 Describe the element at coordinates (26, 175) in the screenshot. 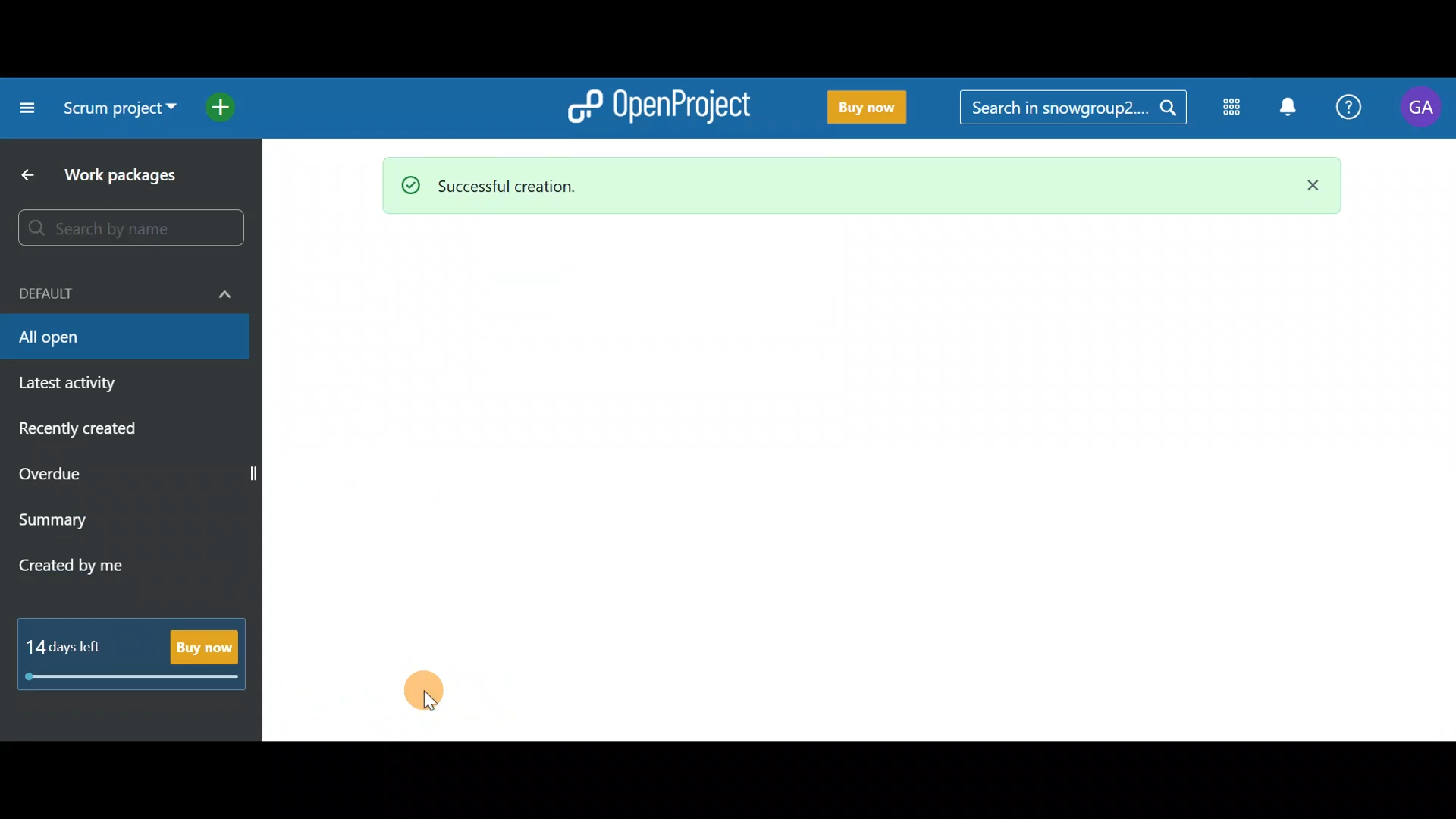

I see `Back` at that location.